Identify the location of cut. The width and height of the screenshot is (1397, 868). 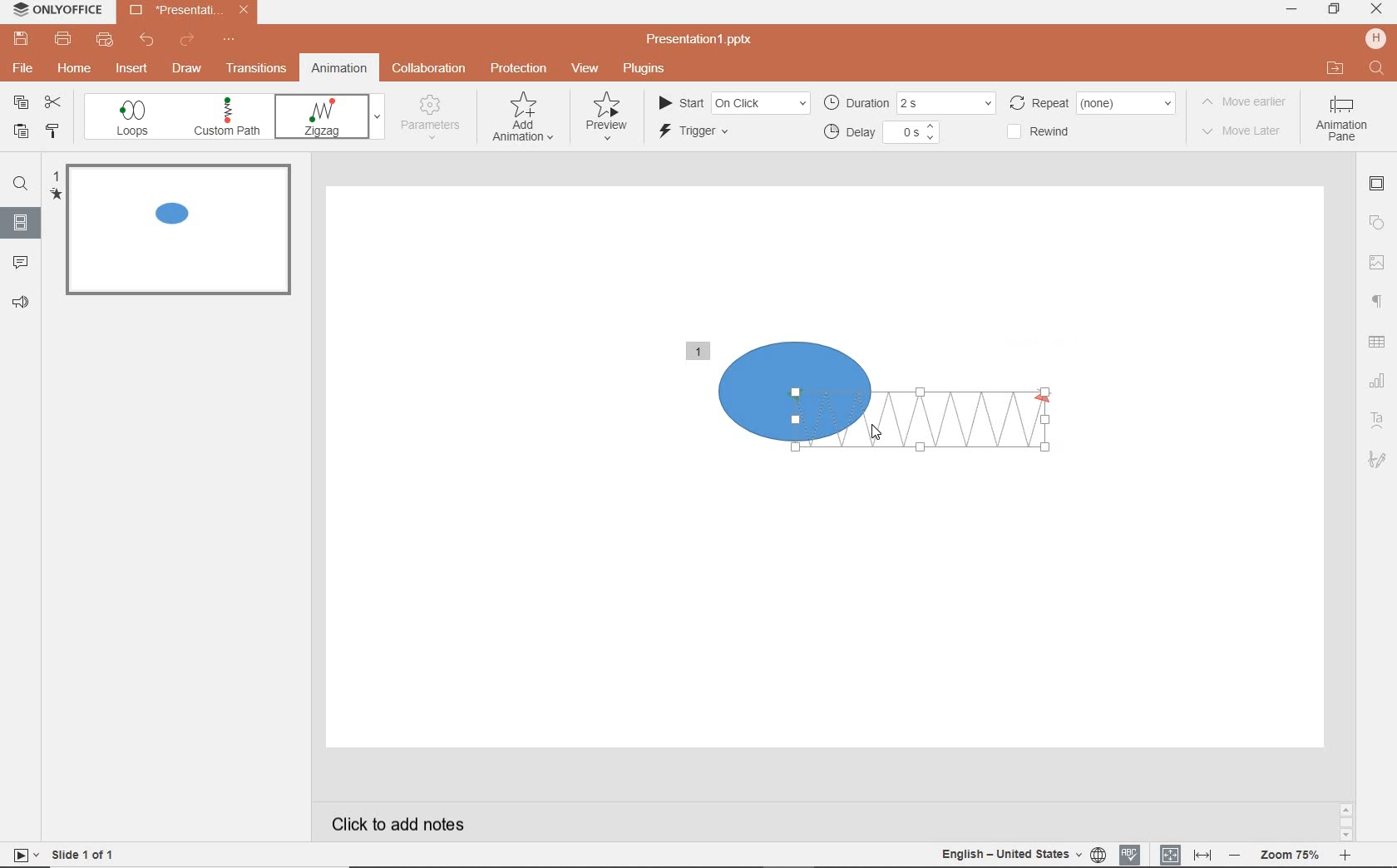
(57, 103).